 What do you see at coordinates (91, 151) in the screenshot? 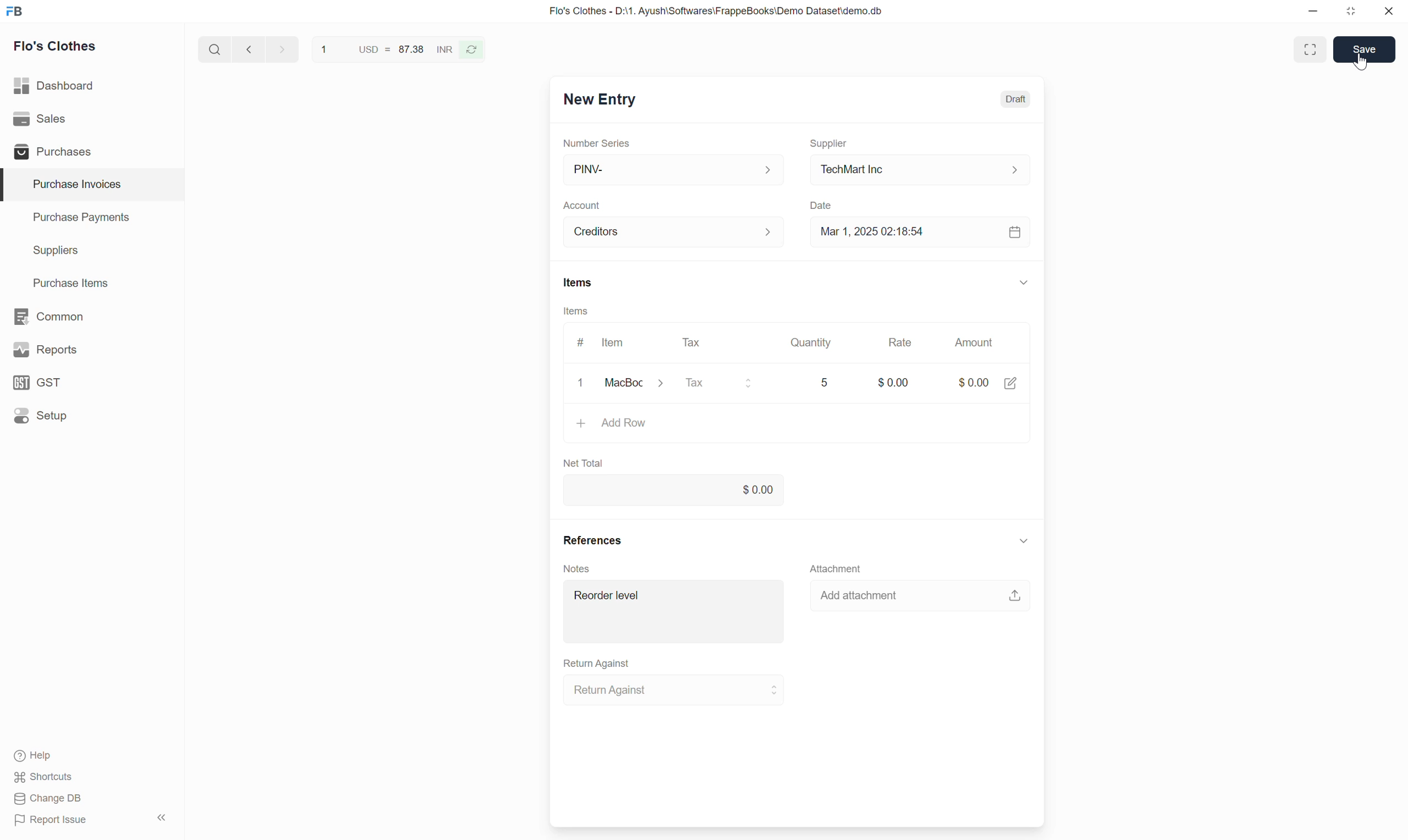
I see `Purchases` at bounding box center [91, 151].